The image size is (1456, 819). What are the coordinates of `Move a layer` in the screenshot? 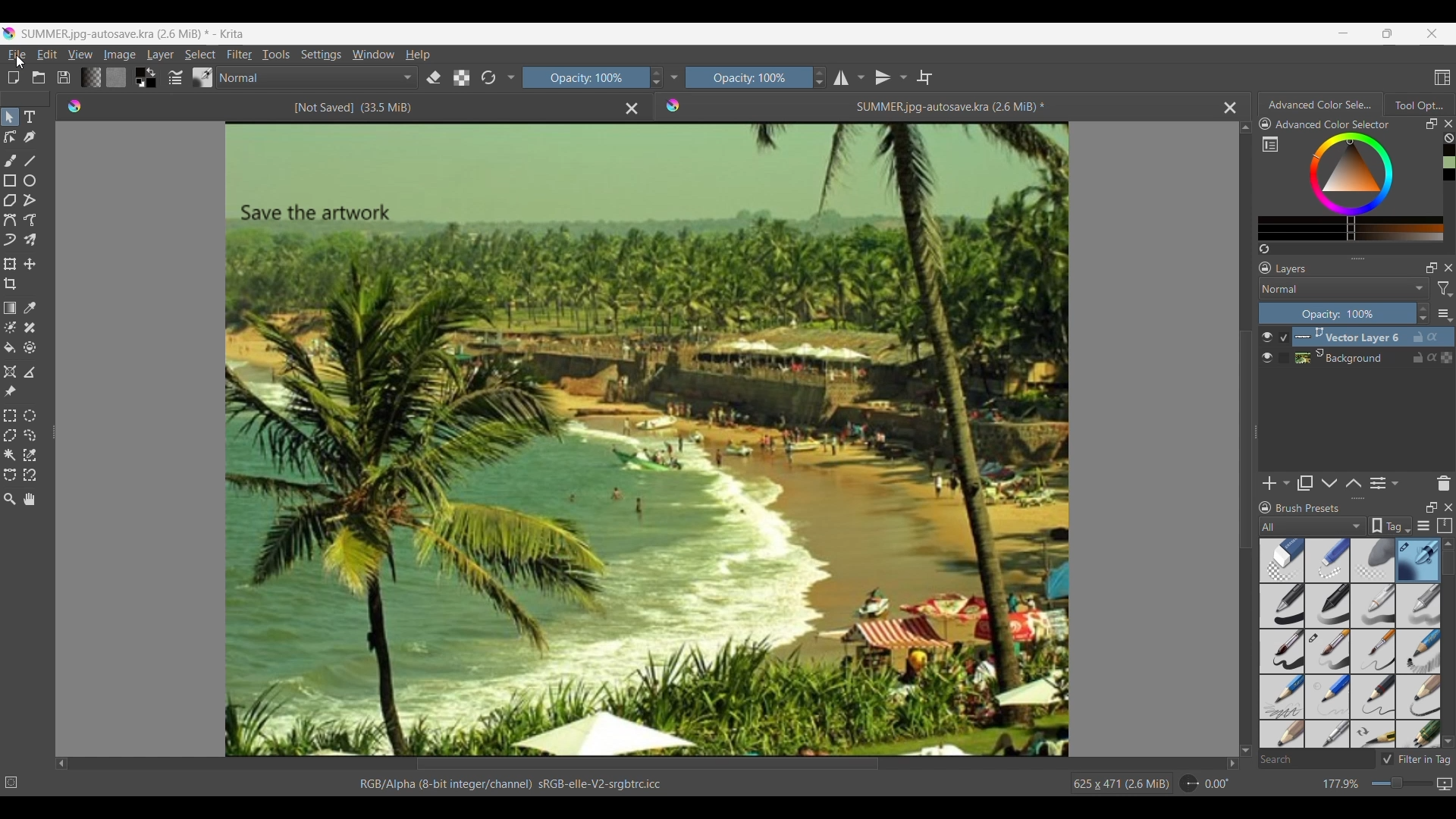 It's located at (29, 264).